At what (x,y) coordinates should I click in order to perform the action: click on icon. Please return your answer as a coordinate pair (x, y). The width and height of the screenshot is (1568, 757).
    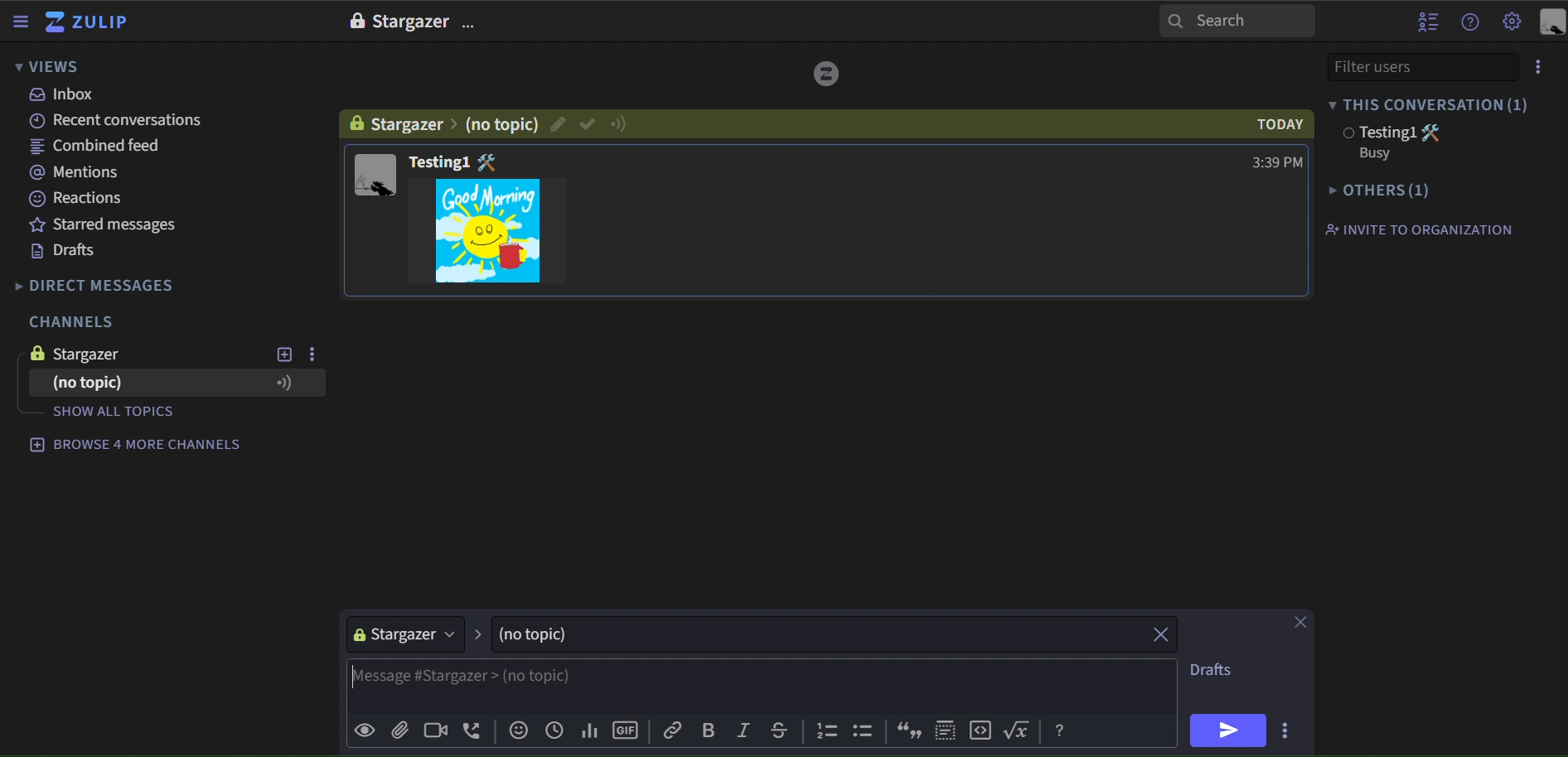
    Looking at the image, I should click on (1060, 731).